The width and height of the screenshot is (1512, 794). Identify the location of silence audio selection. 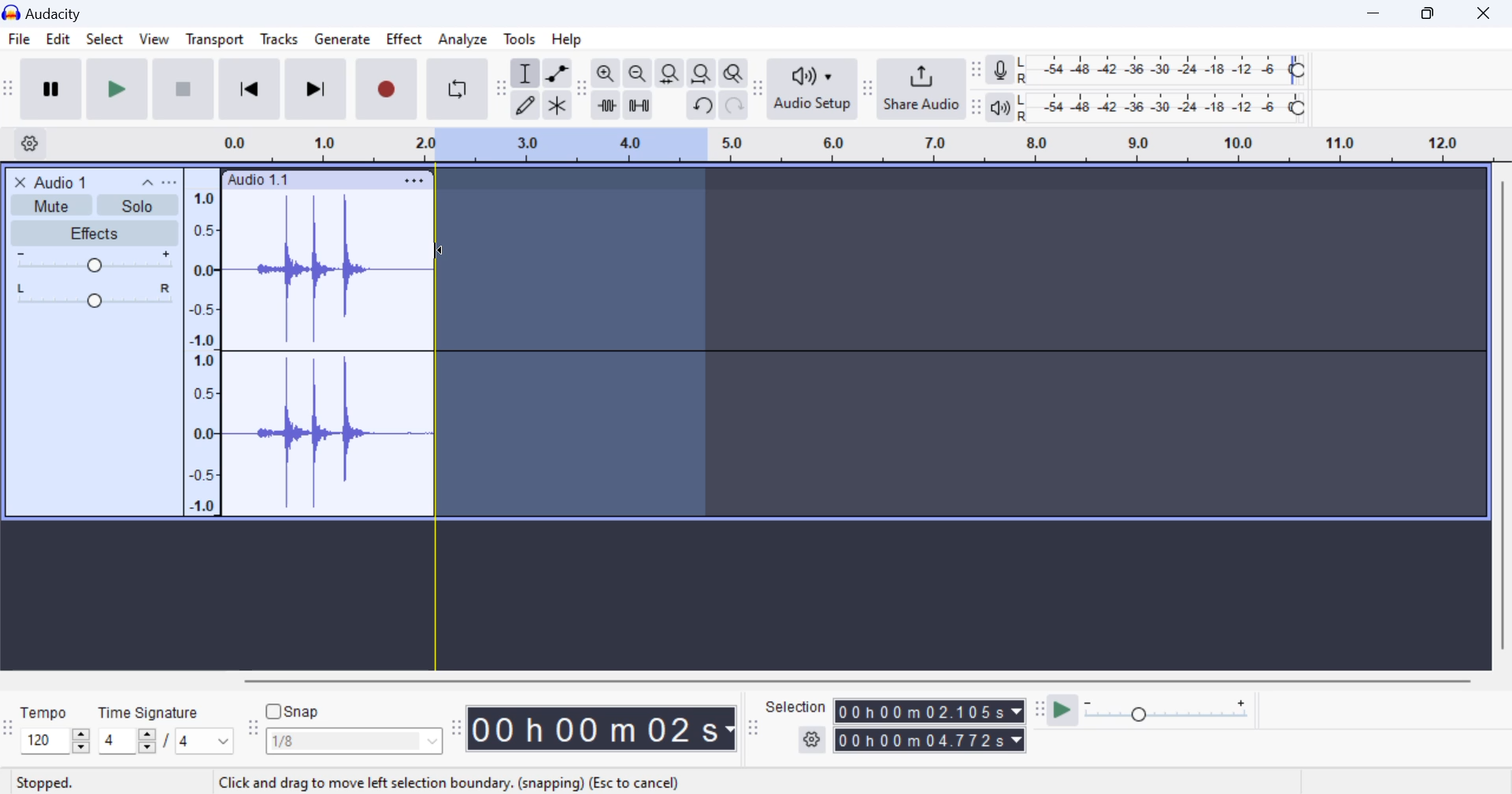
(639, 106).